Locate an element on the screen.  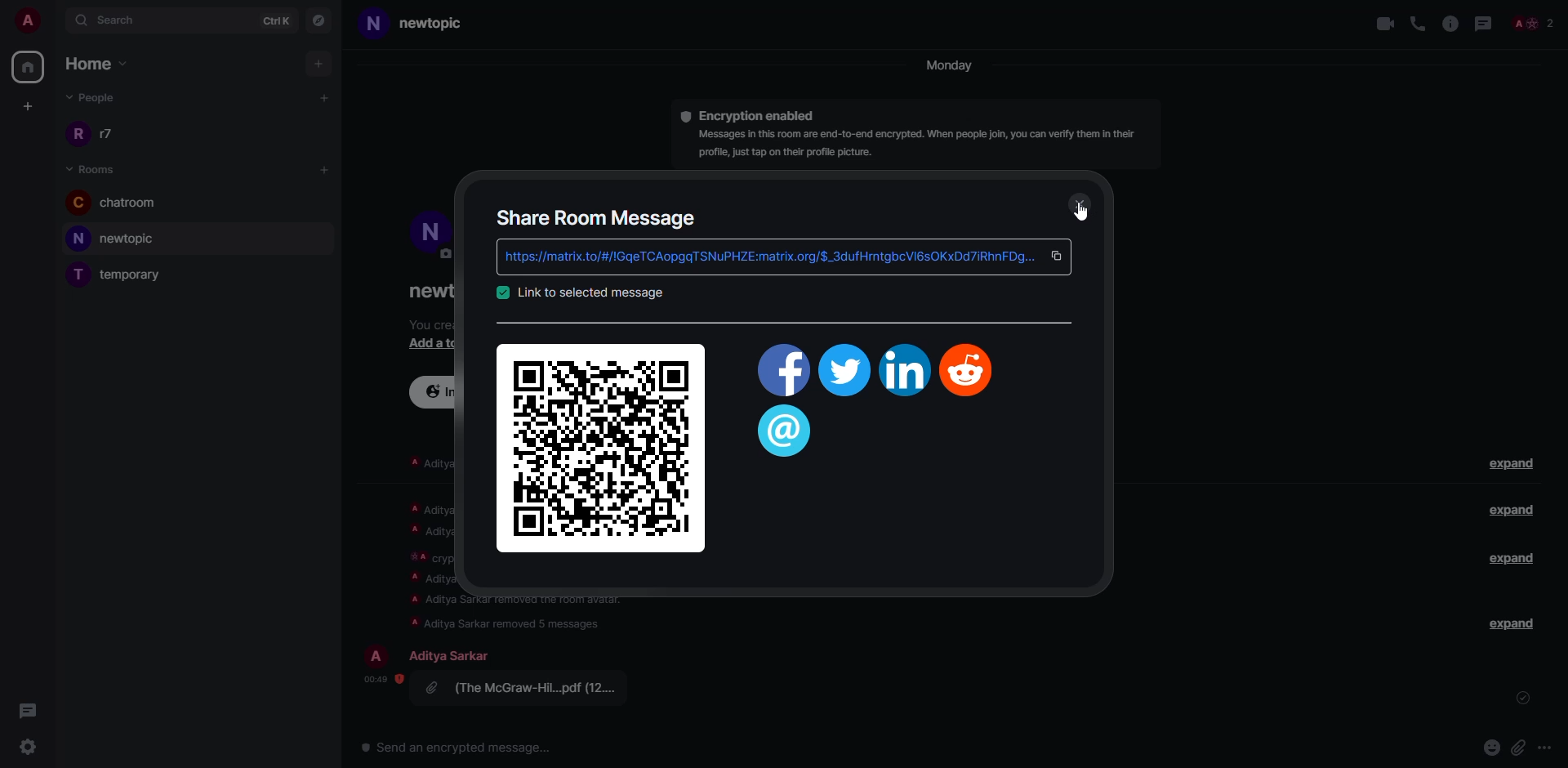
cursor is located at coordinates (1083, 210).